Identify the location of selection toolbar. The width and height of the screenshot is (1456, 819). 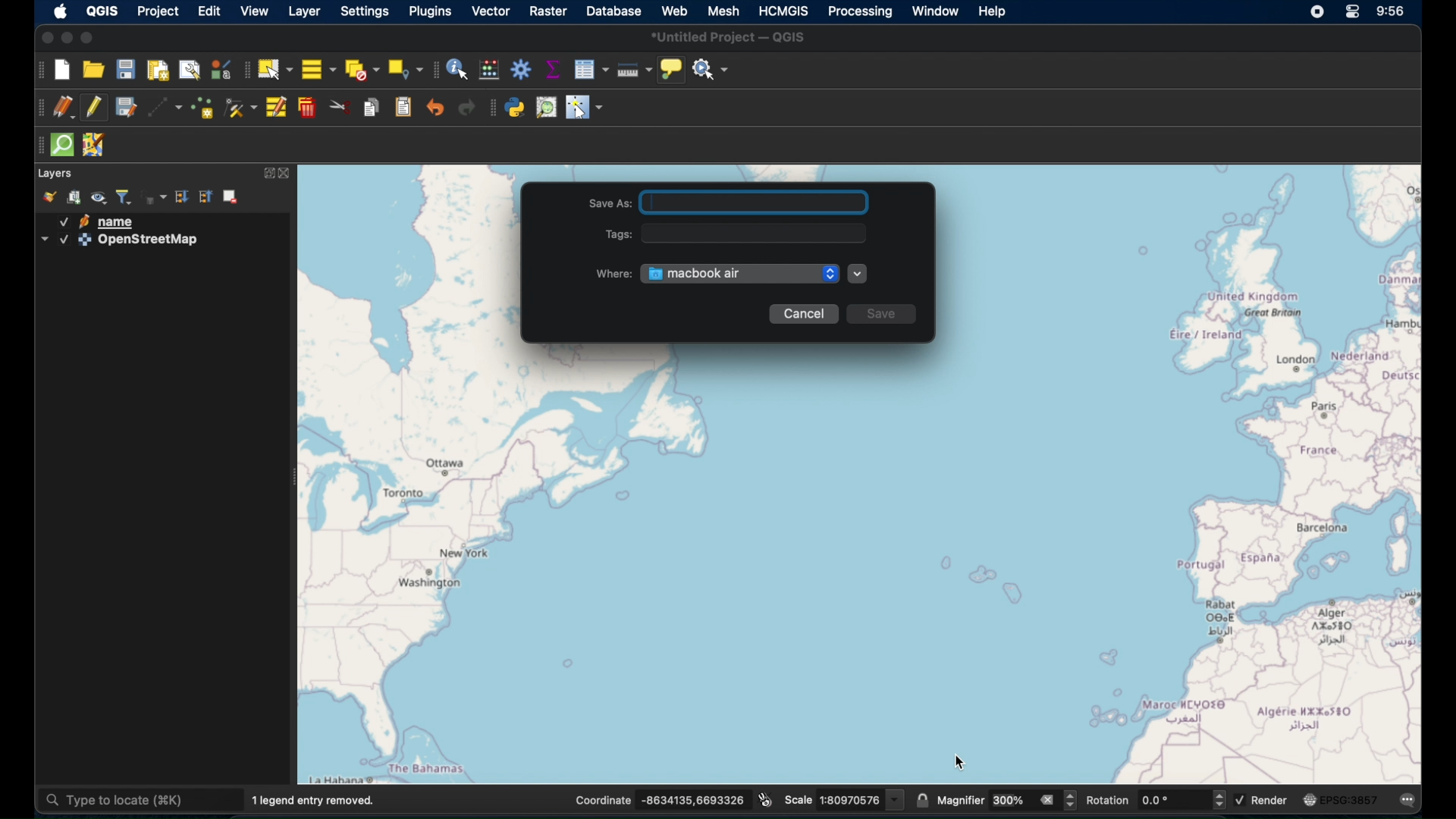
(243, 69).